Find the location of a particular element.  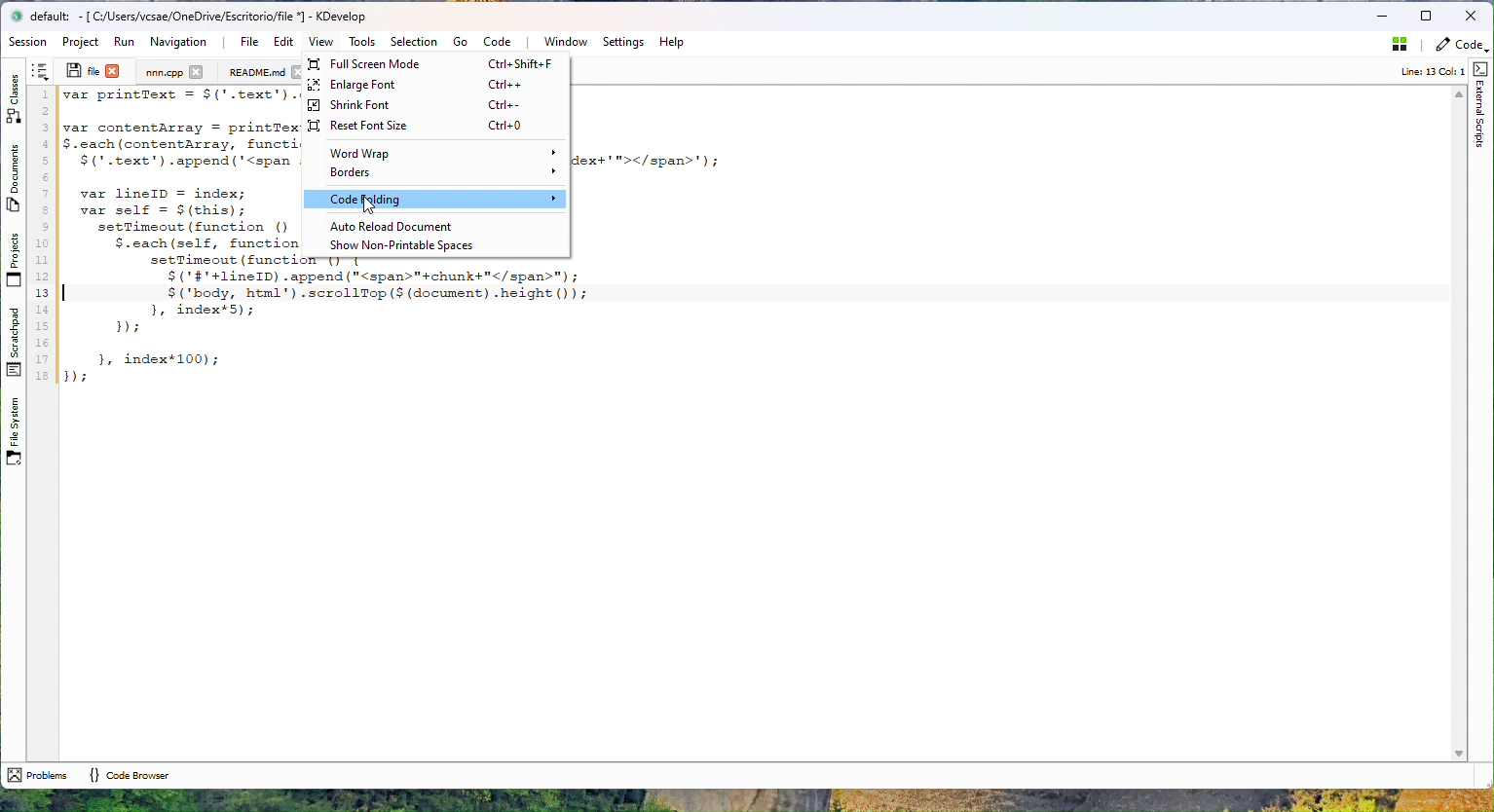

Auto reload document is located at coordinates (431, 226).